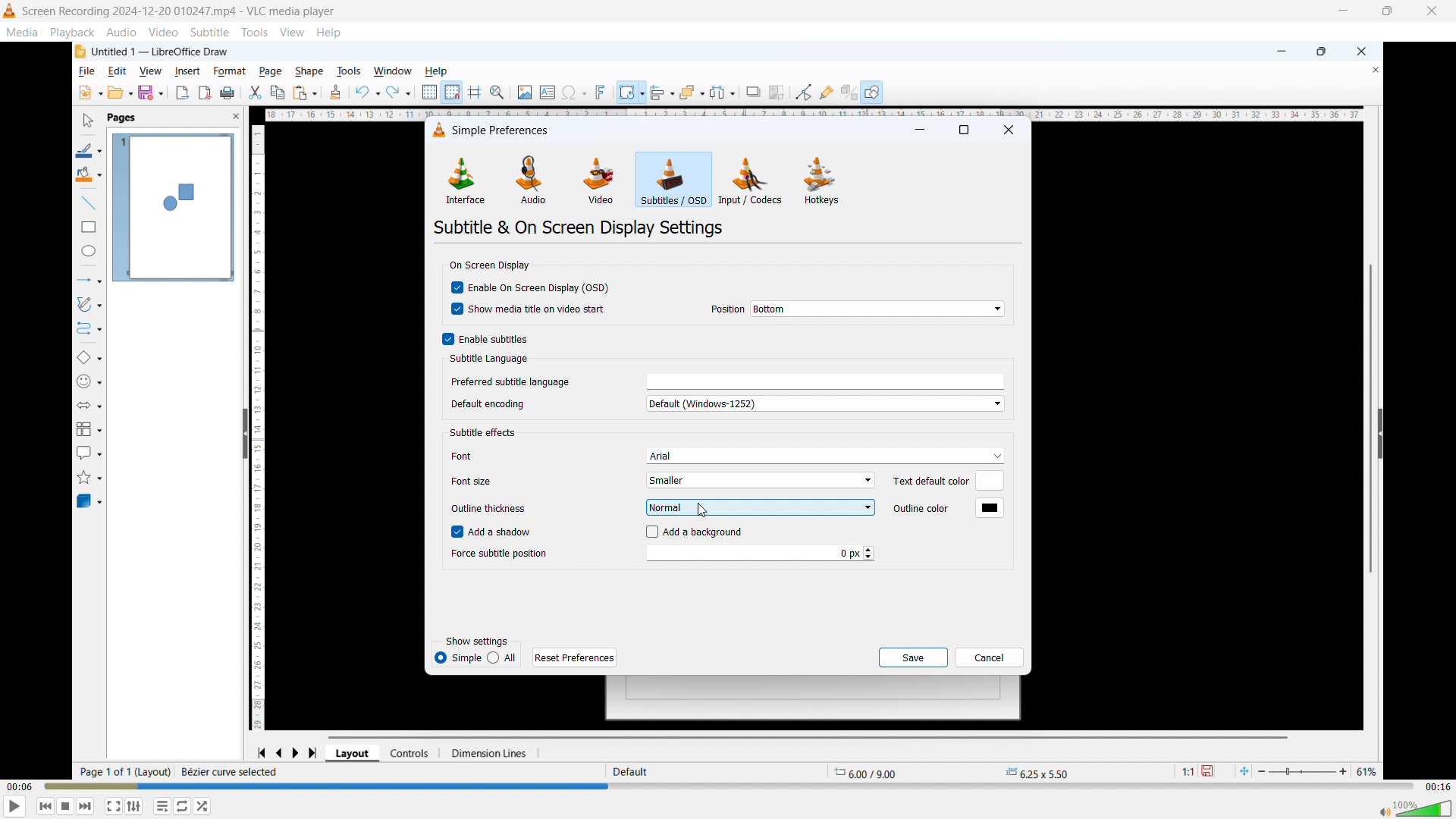  What do you see at coordinates (491, 265) in the screenshot?
I see `On screen display ` at bounding box center [491, 265].